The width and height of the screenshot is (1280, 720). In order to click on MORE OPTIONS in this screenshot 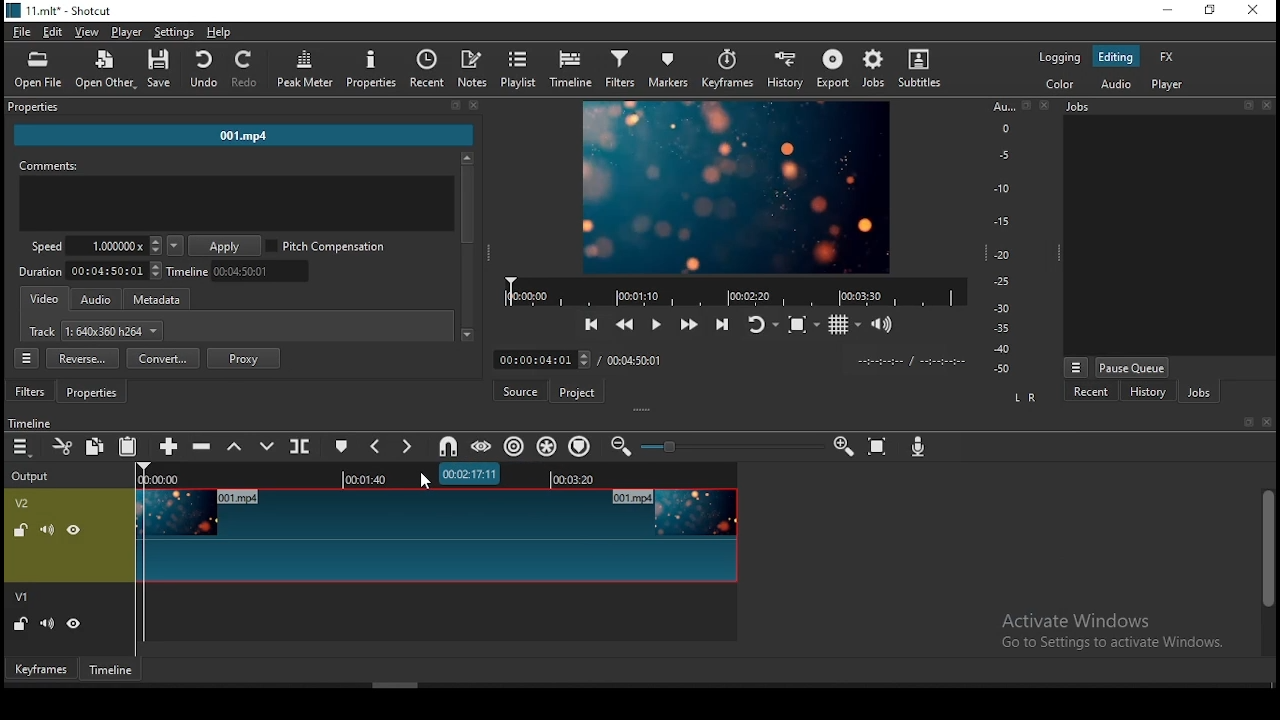, I will do `click(1075, 366)`.